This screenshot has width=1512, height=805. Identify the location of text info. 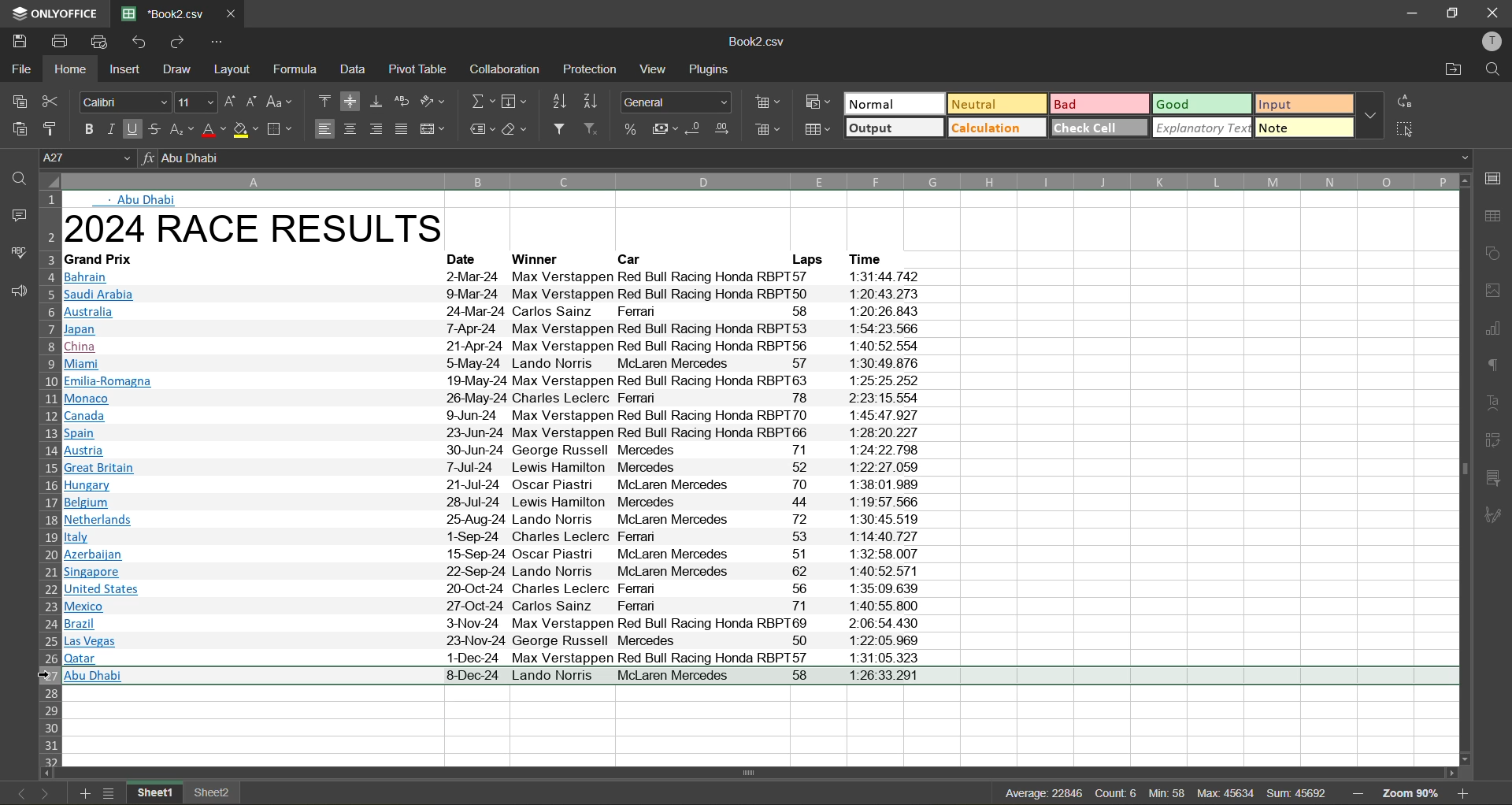
(492, 588).